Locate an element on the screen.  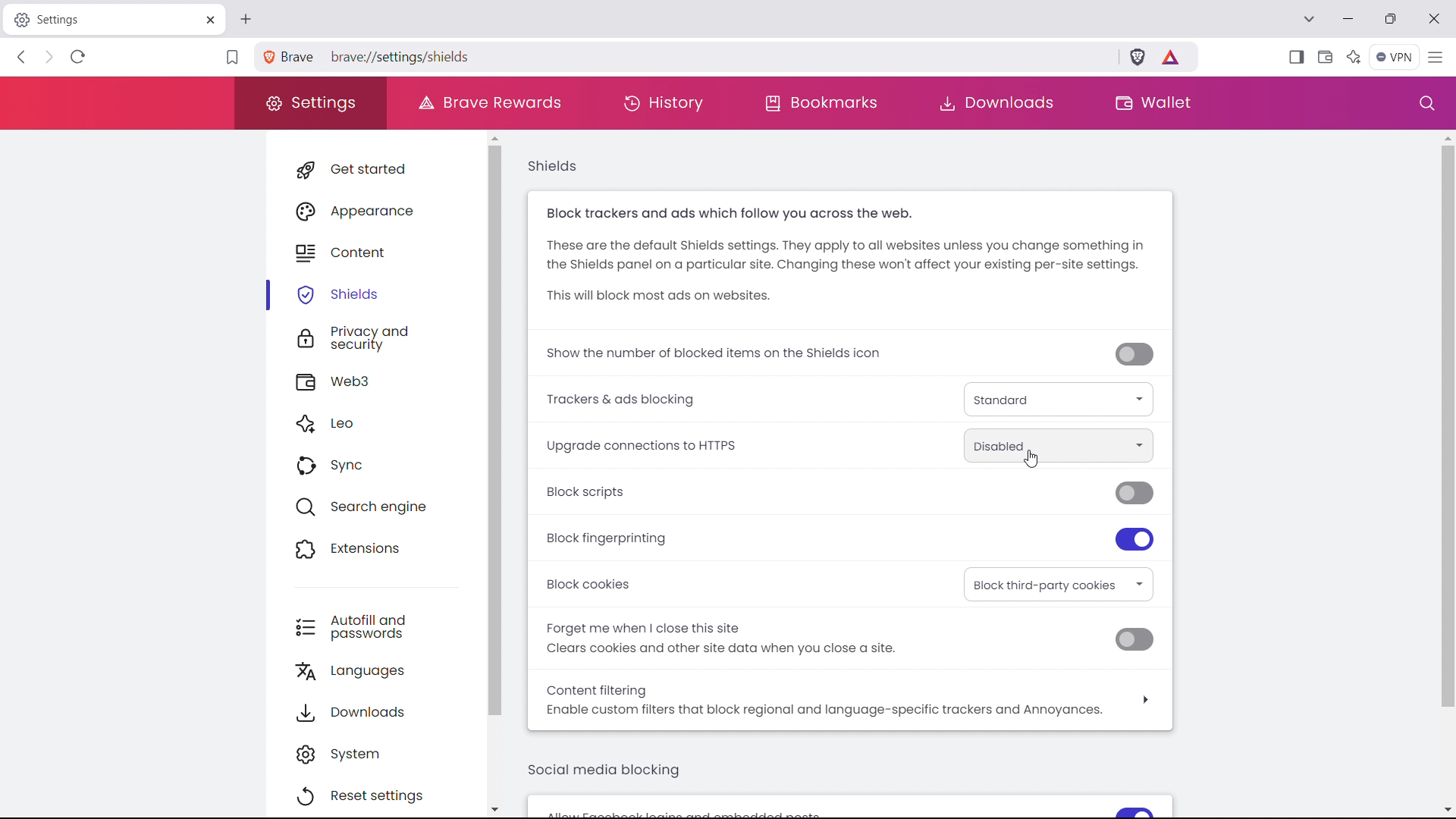
search is located at coordinates (1426, 103).